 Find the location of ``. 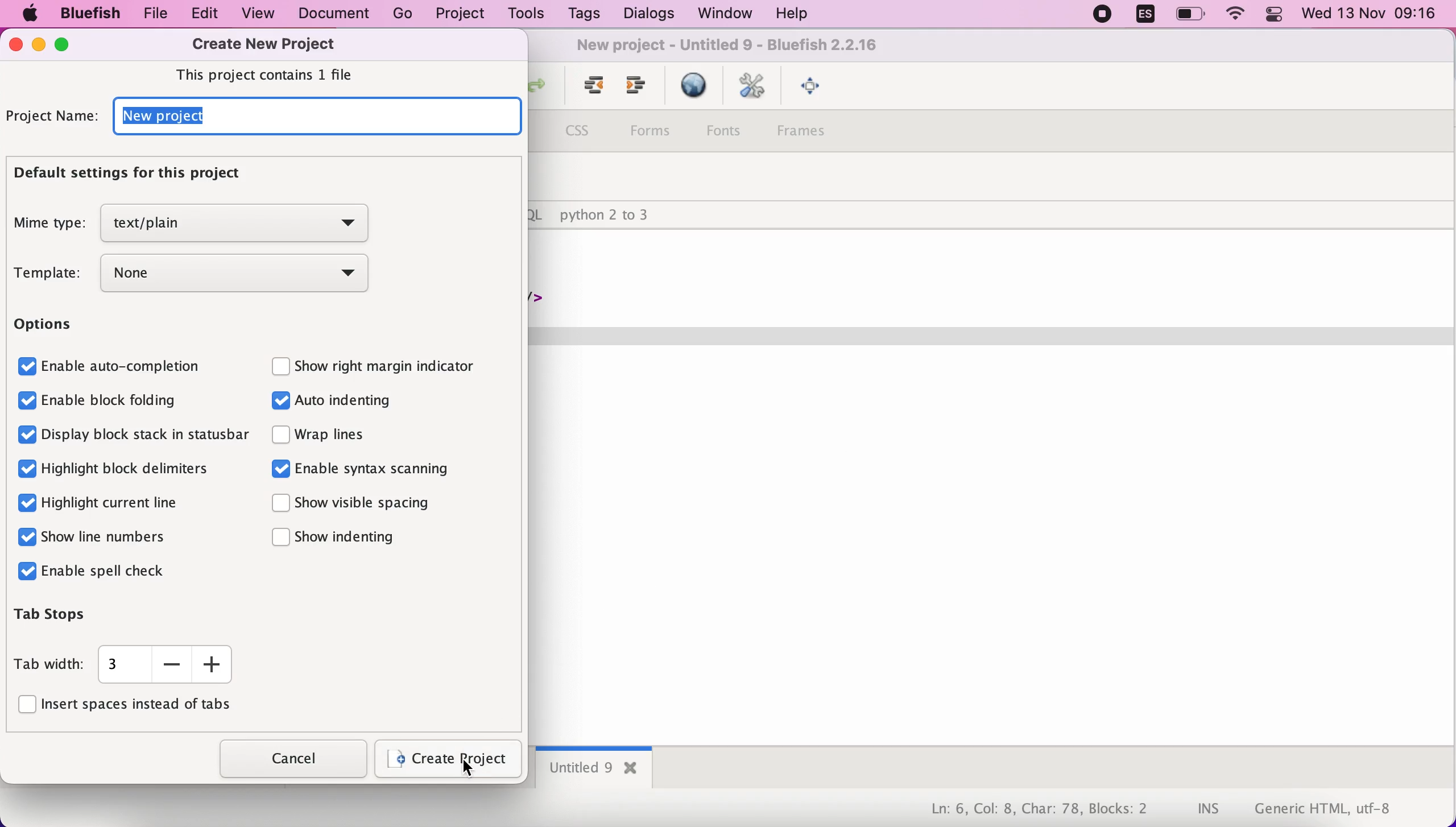

 is located at coordinates (15, 46).